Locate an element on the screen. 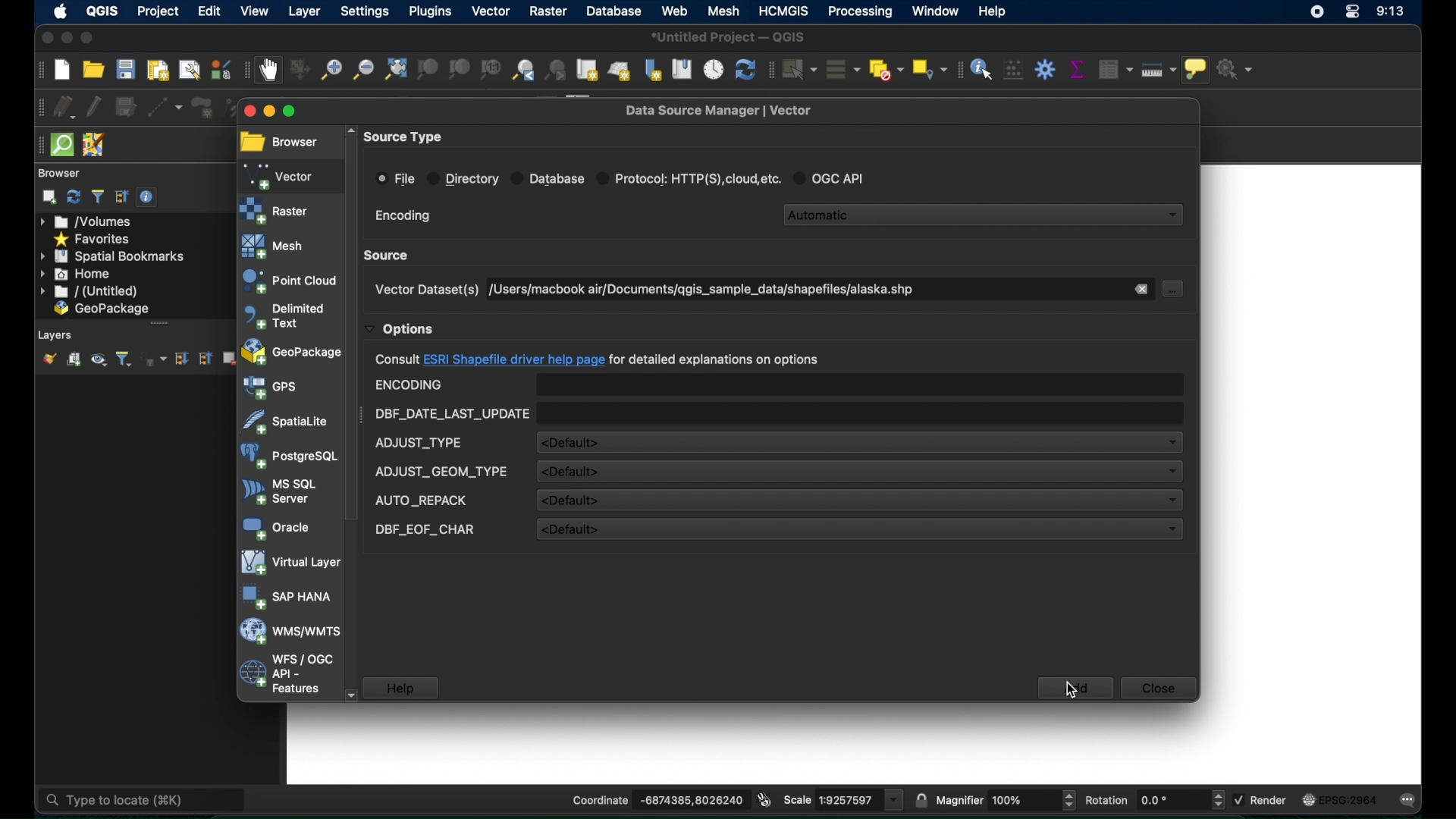  show statistical summary is located at coordinates (1076, 67).